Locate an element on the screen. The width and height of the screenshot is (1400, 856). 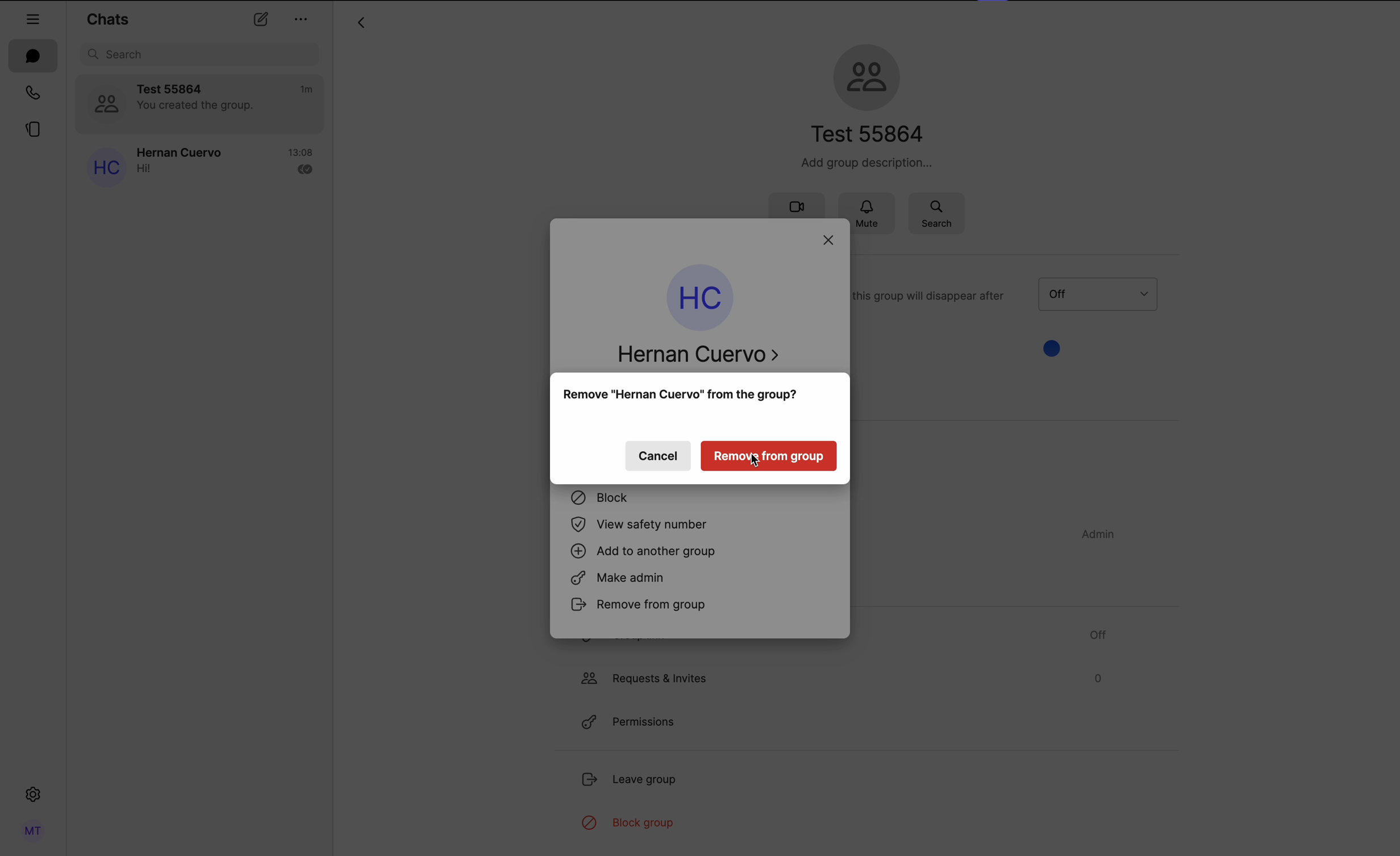
mute is located at coordinates (873, 211).